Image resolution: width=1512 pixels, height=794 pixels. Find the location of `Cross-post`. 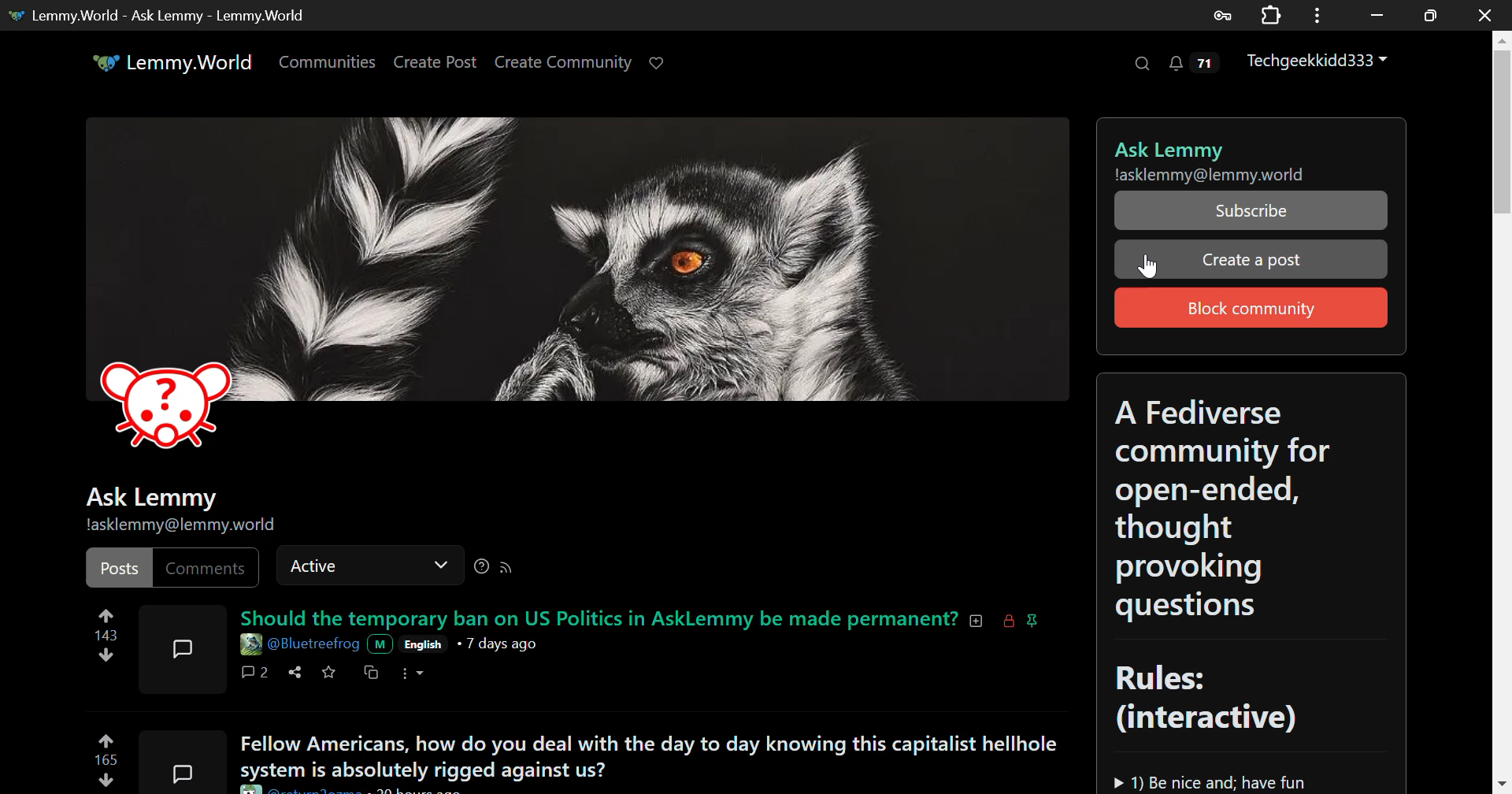

Cross-post is located at coordinates (370, 673).